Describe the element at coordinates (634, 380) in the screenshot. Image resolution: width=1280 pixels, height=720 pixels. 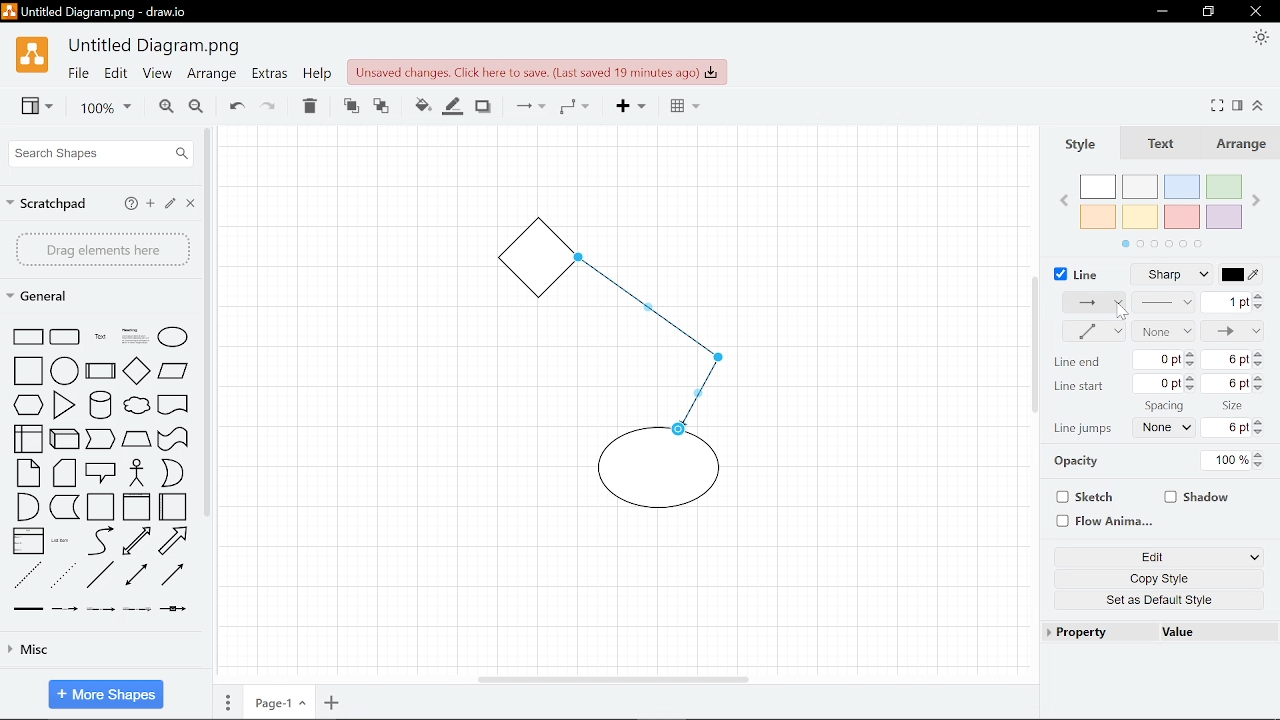
I see `Current  diagram` at that location.